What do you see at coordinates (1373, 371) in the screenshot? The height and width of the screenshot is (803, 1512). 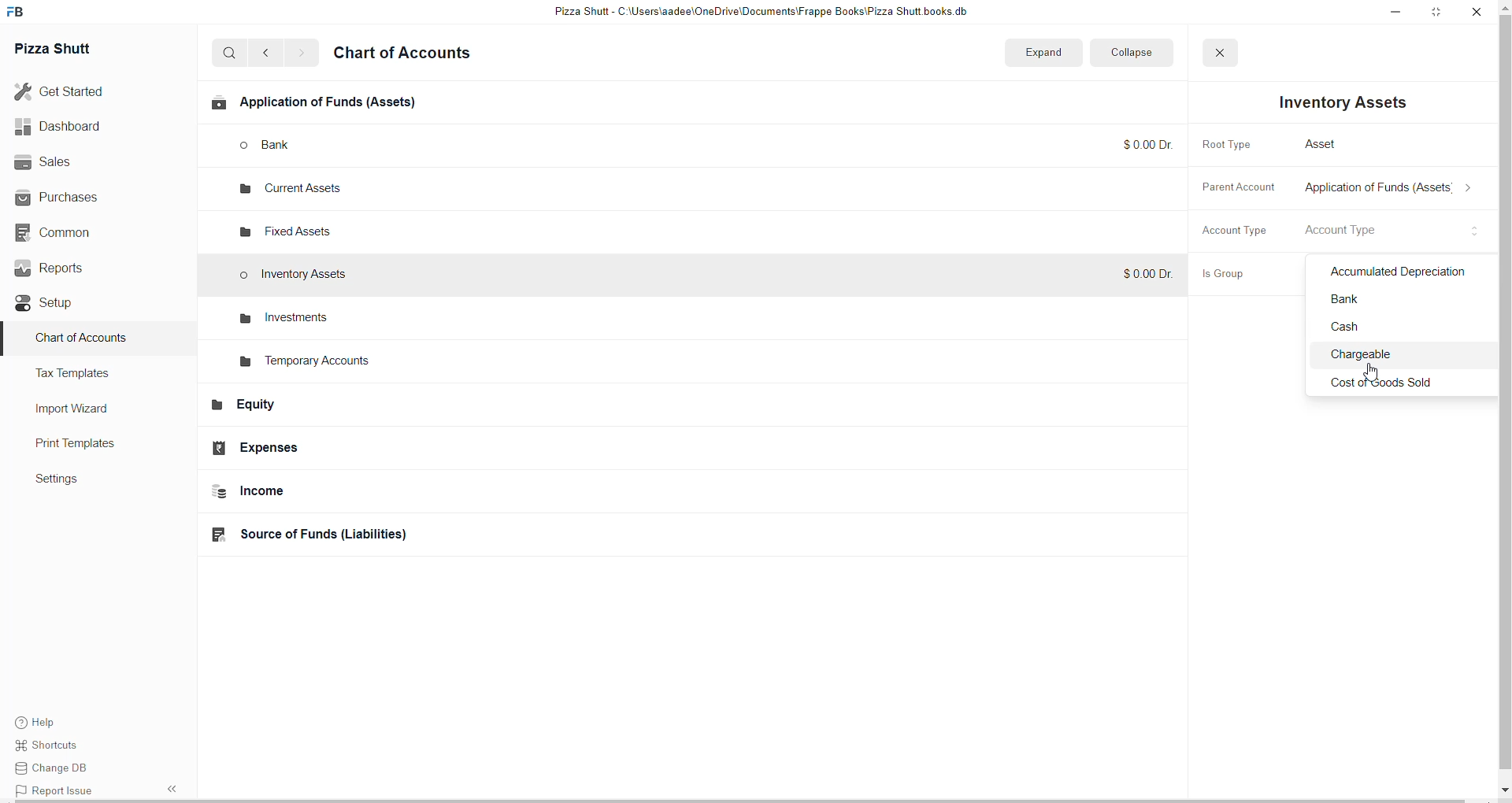 I see `cursor` at bounding box center [1373, 371].